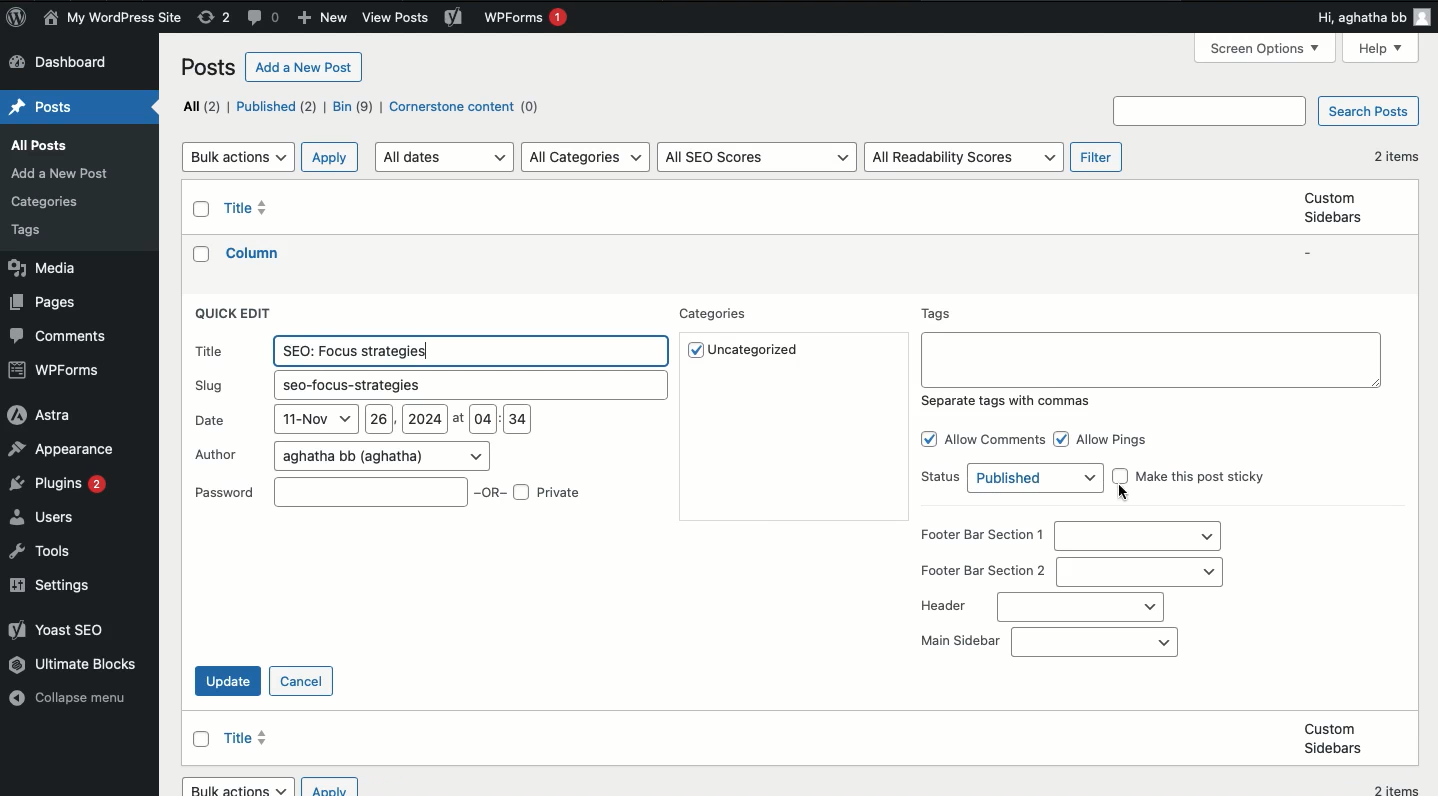 Image resolution: width=1438 pixels, height=796 pixels. Describe the element at coordinates (1140, 571) in the screenshot. I see `section` at that location.